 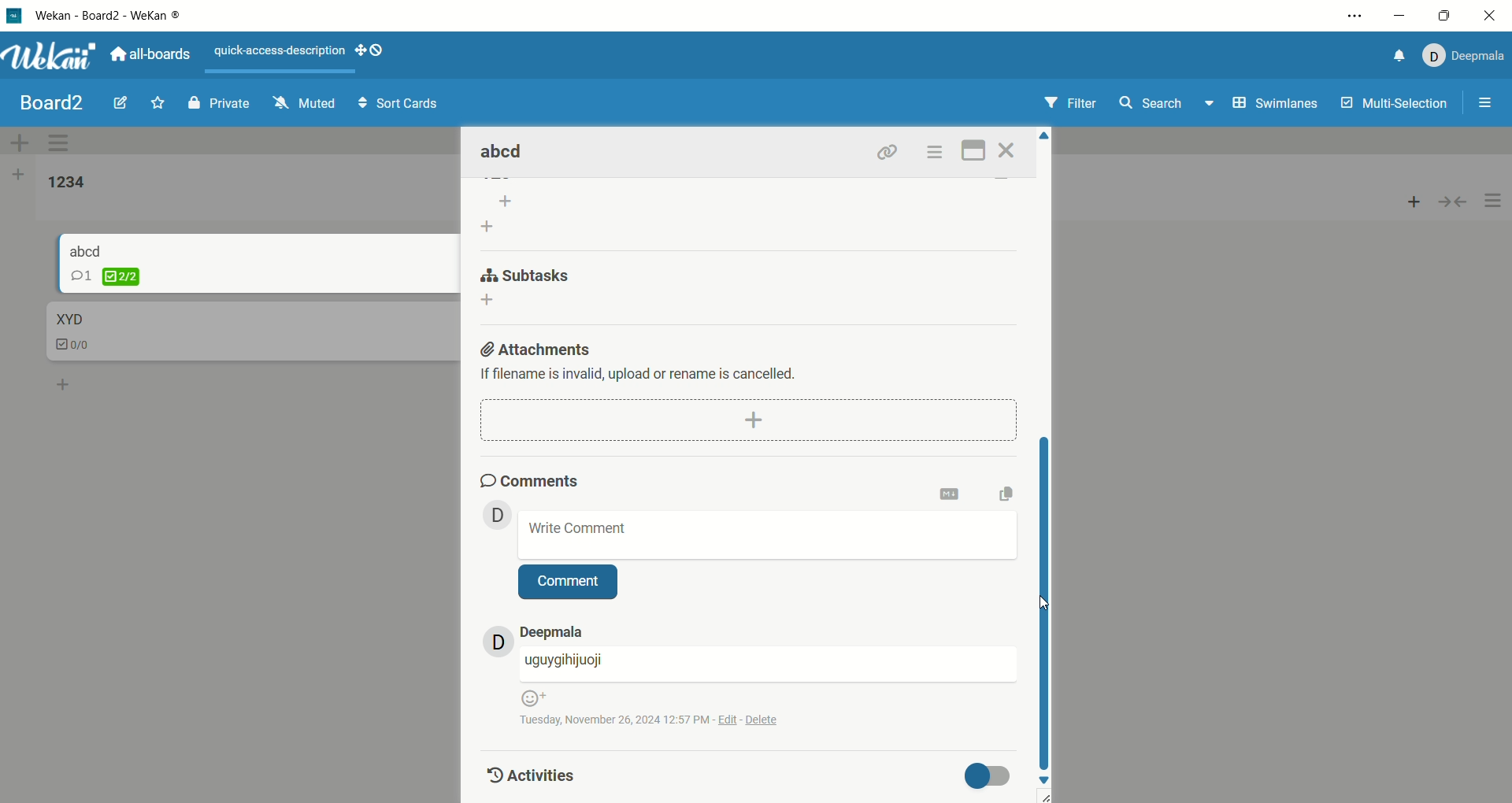 I want to click on muted, so click(x=305, y=102).